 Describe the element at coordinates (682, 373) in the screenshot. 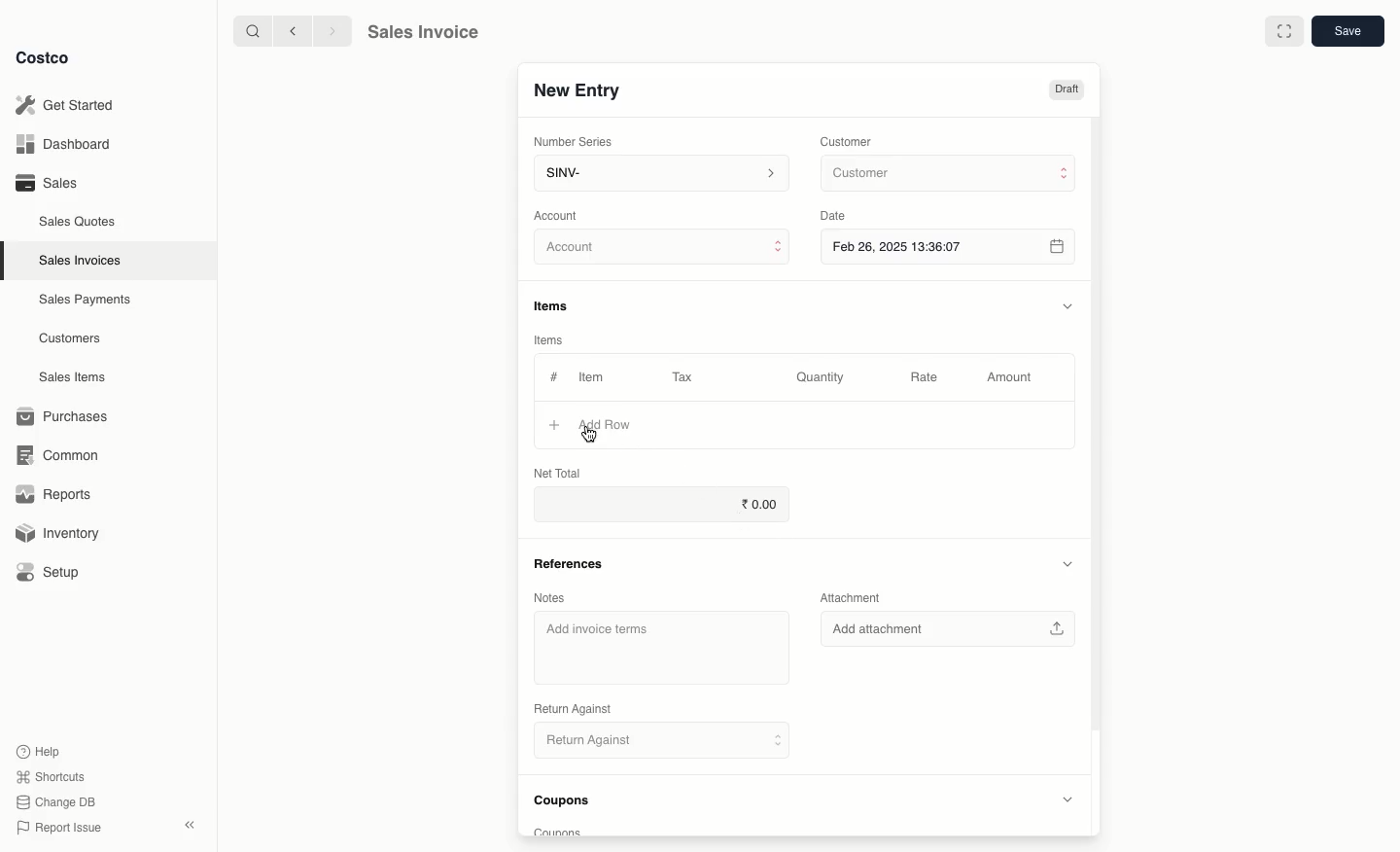

I see `Tax` at that location.